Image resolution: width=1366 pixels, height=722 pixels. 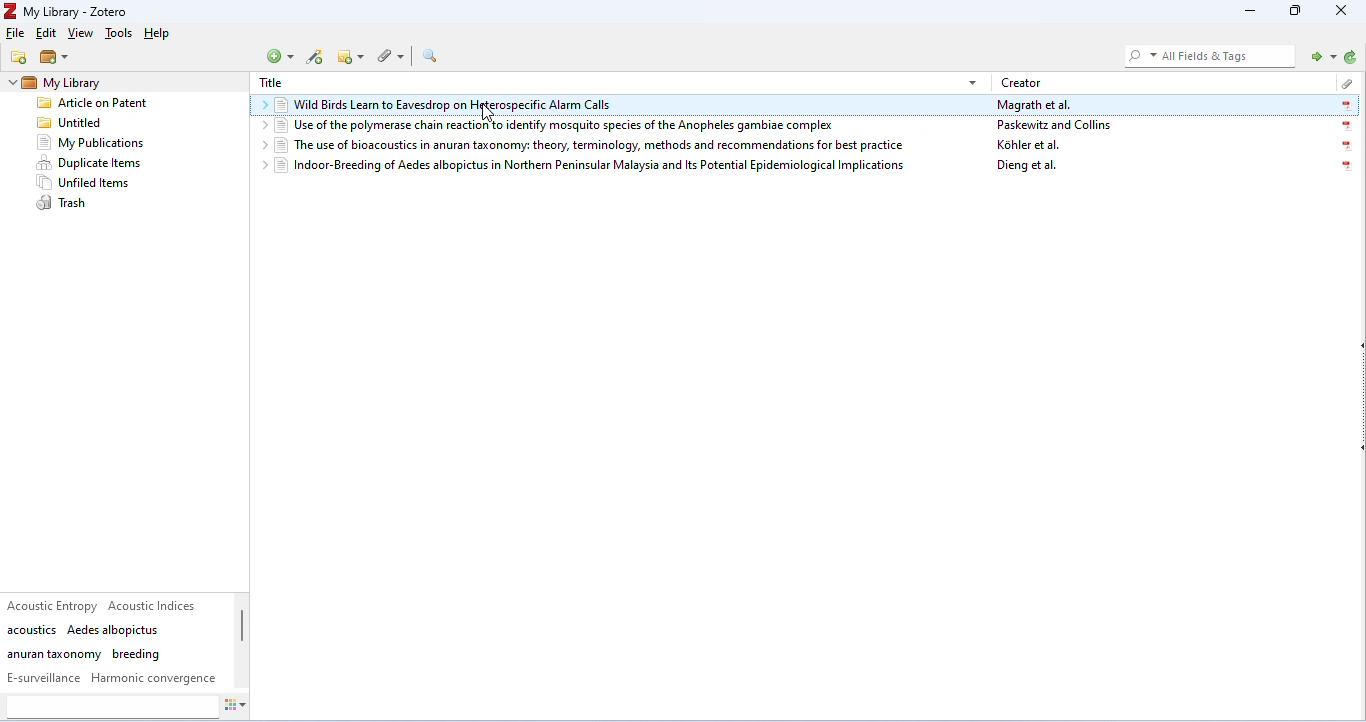 What do you see at coordinates (596, 144) in the screenshot?
I see `The use of bioacoustics in anuran taxonomy: theory, terminology, methods and recommendations for best practice` at bounding box center [596, 144].